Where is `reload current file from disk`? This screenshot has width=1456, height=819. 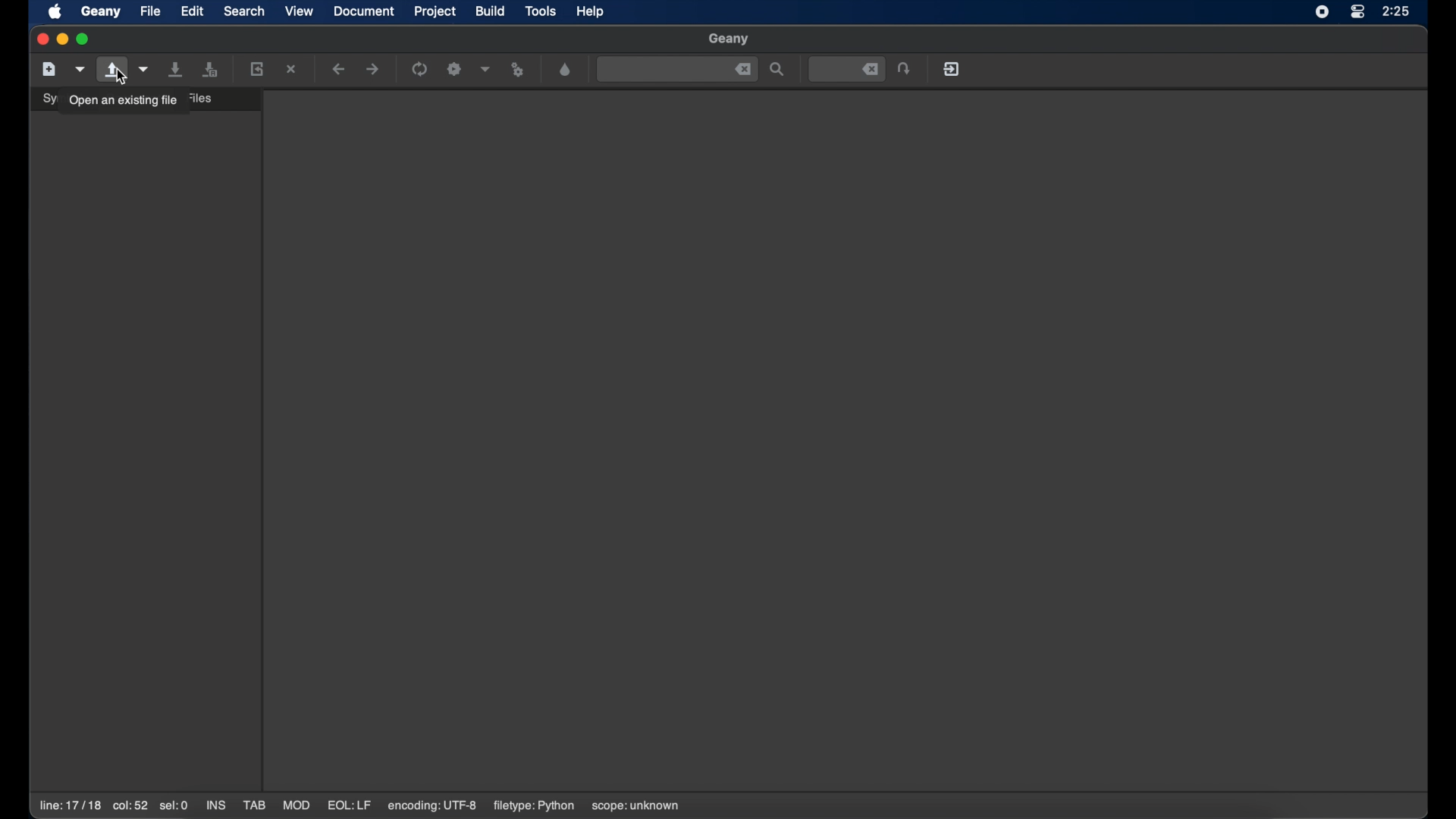
reload current file from disk is located at coordinates (256, 68).